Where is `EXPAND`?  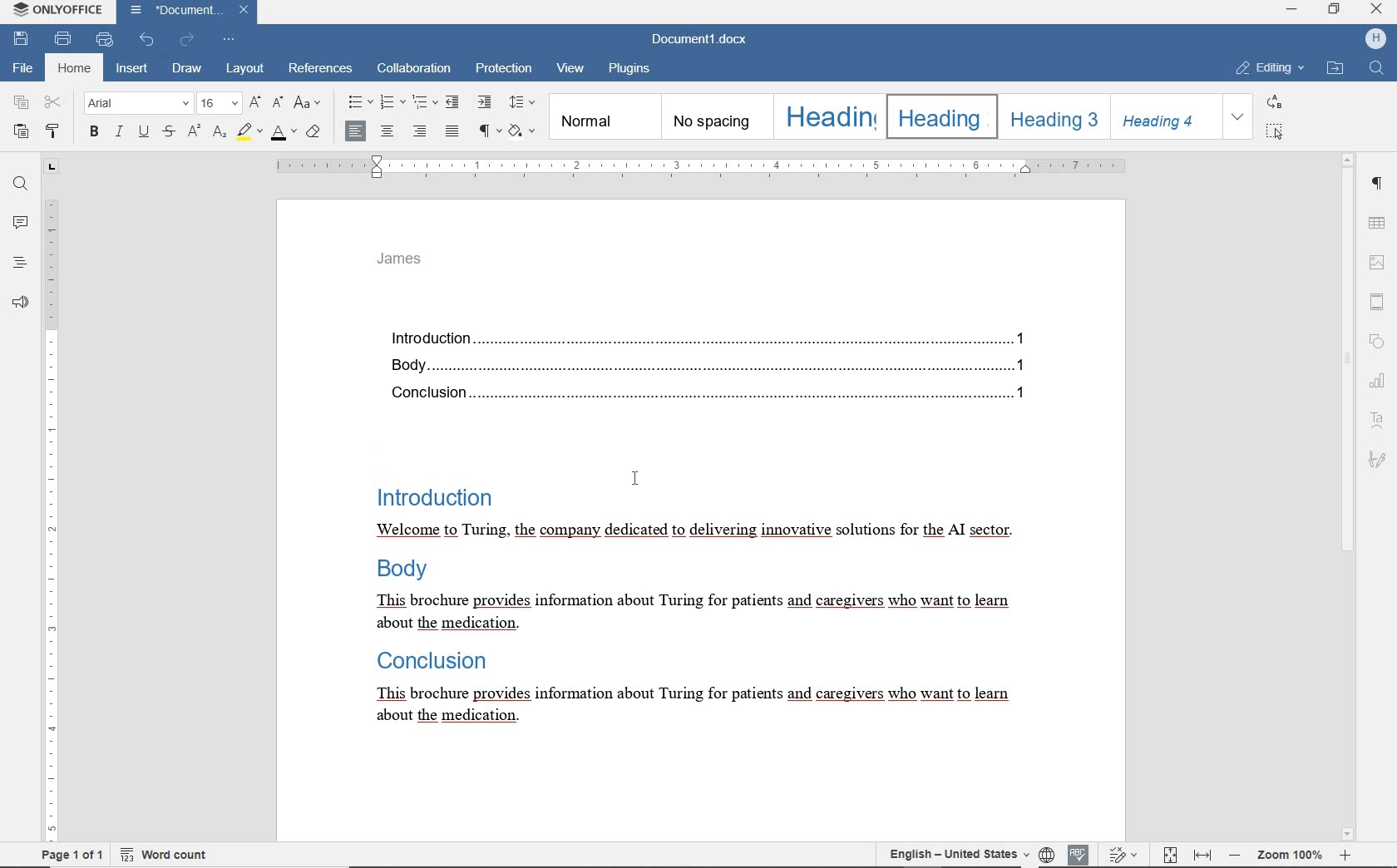
EXPAND is located at coordinates (1239, 117).